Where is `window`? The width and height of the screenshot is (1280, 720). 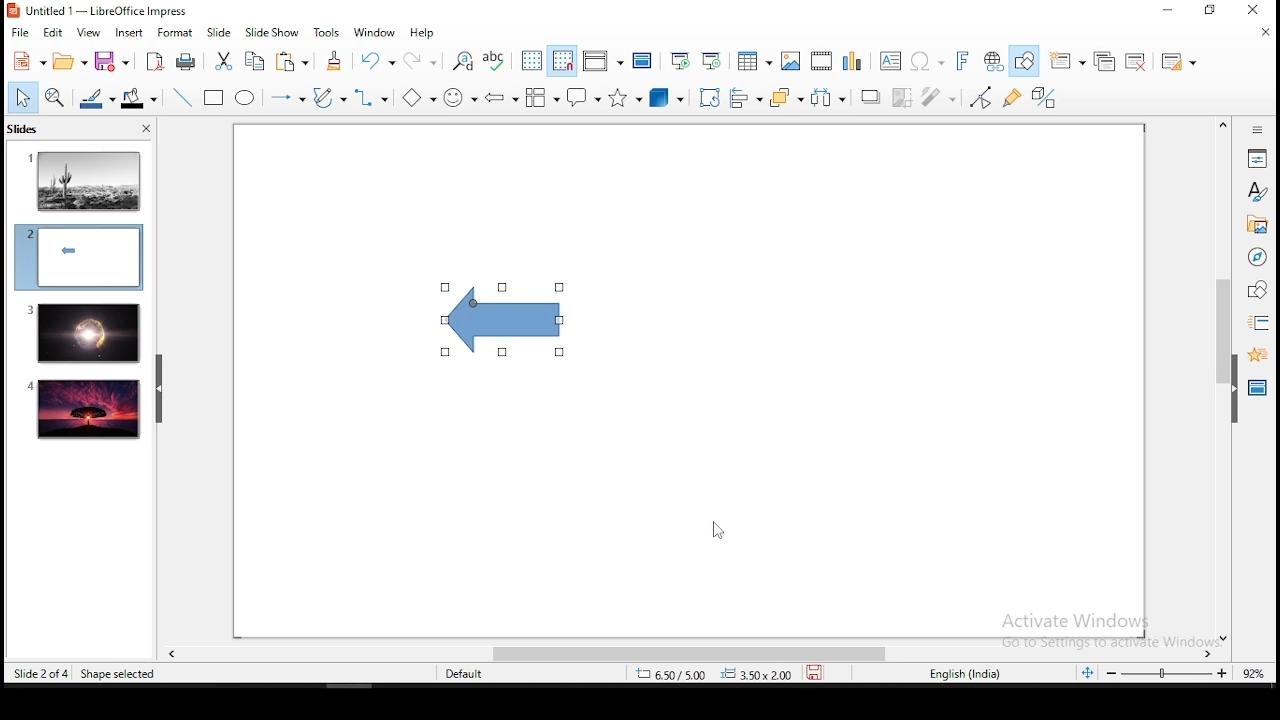 window is located at coordinates (371, 32).